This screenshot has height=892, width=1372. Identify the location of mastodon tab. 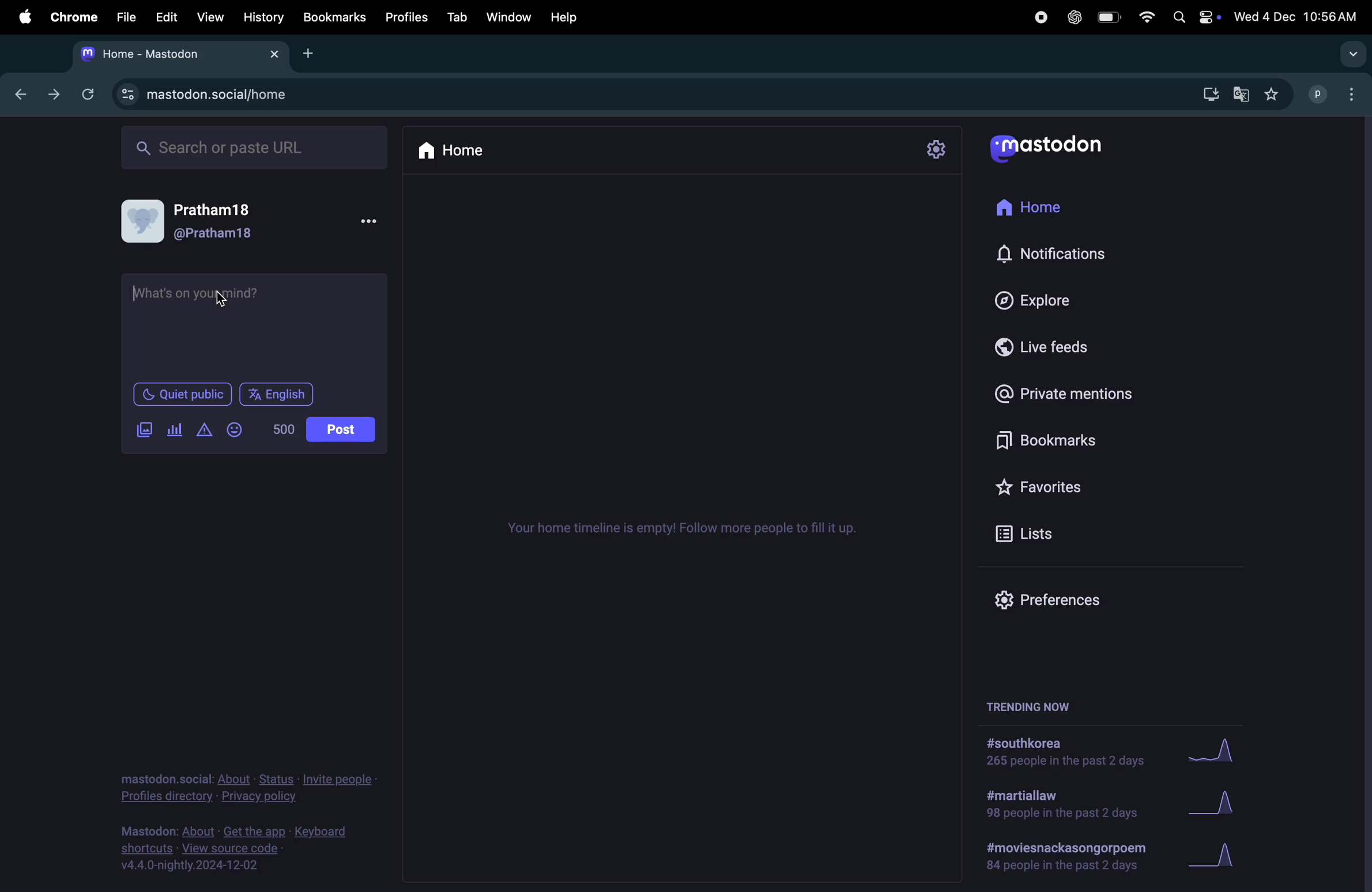
(181, 52).